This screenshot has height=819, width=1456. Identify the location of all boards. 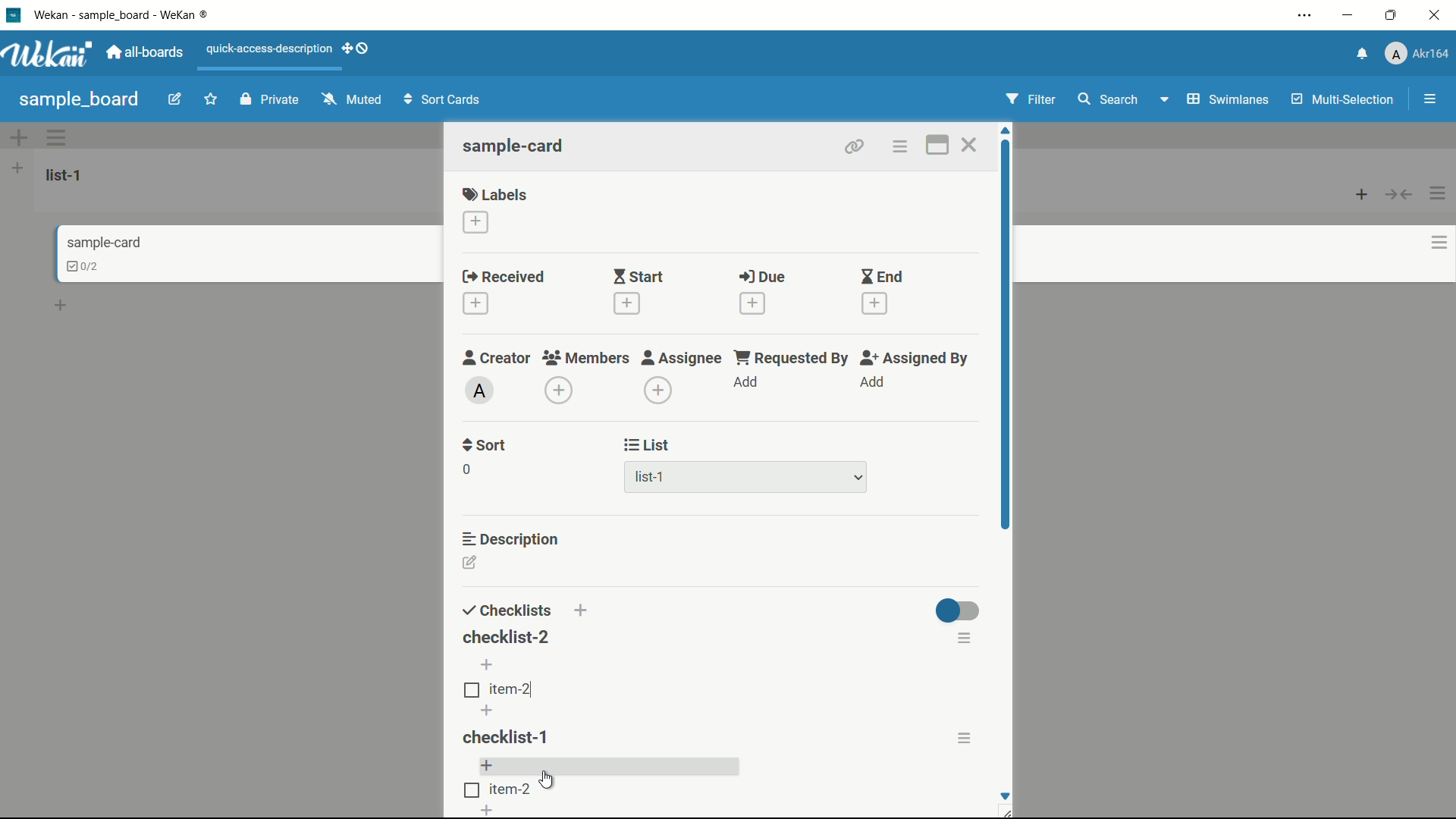
(146, 52).